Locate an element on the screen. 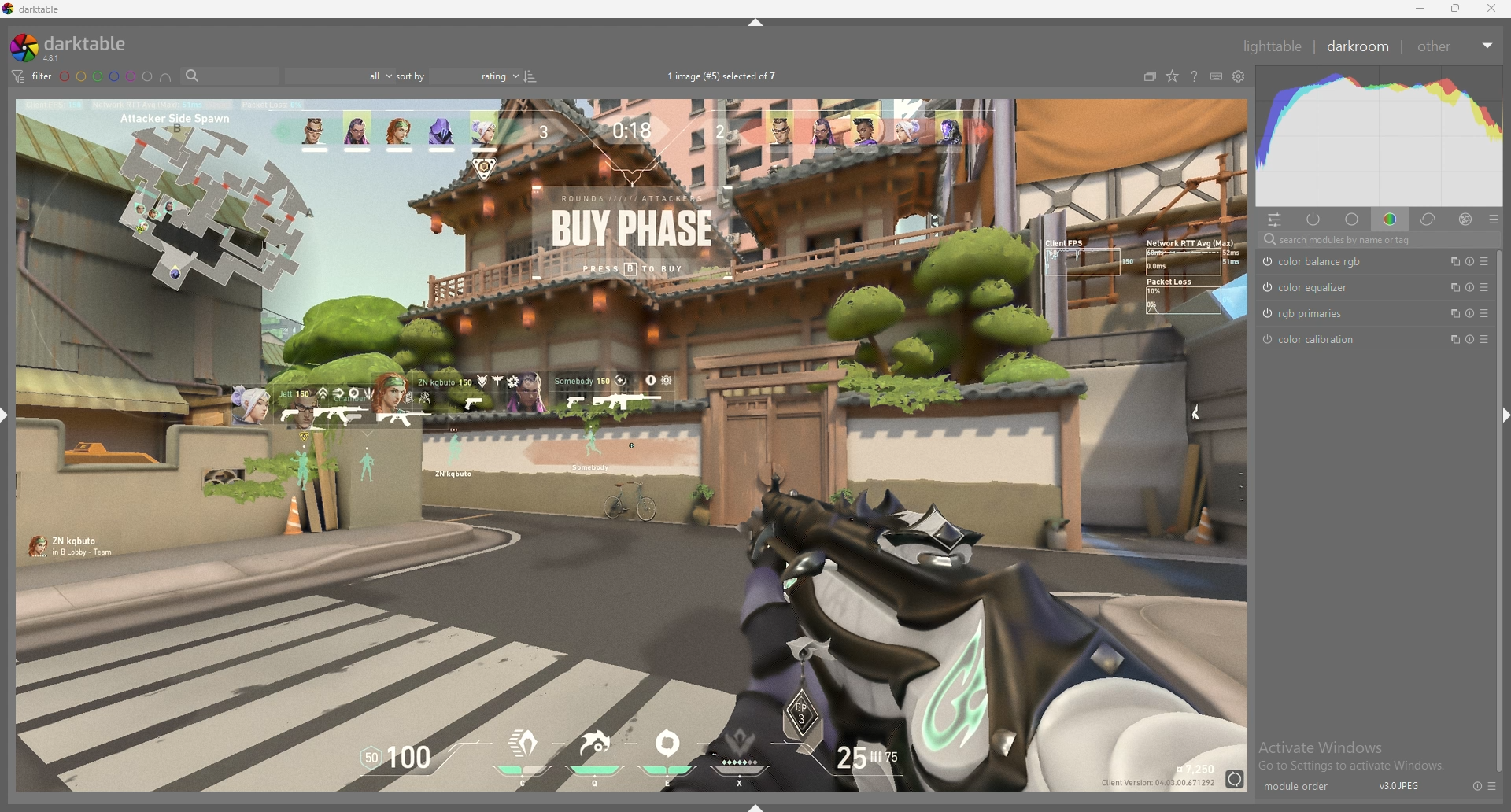  close is located at coordinates (1491, 9).